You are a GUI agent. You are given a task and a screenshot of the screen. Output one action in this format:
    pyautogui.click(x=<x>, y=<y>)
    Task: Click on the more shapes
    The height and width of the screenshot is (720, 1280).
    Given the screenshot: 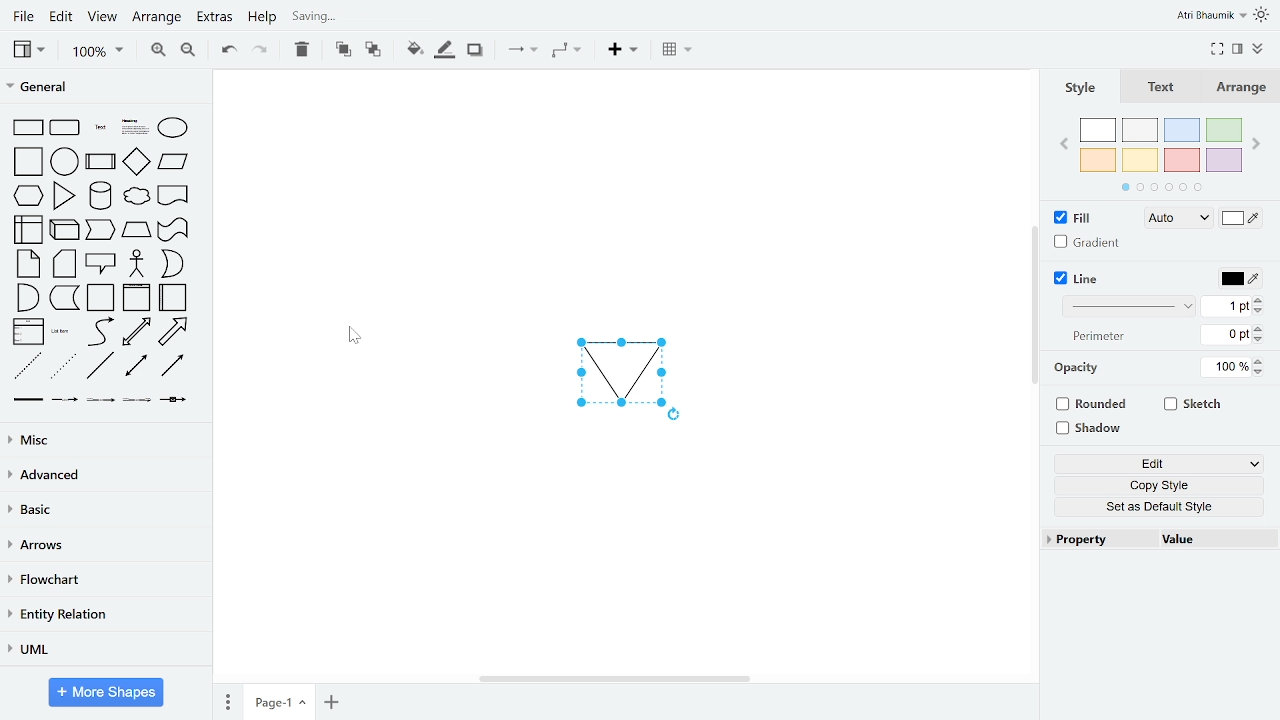 What is the action you would take?
    pyautogui.click(x=107, y=692)
    